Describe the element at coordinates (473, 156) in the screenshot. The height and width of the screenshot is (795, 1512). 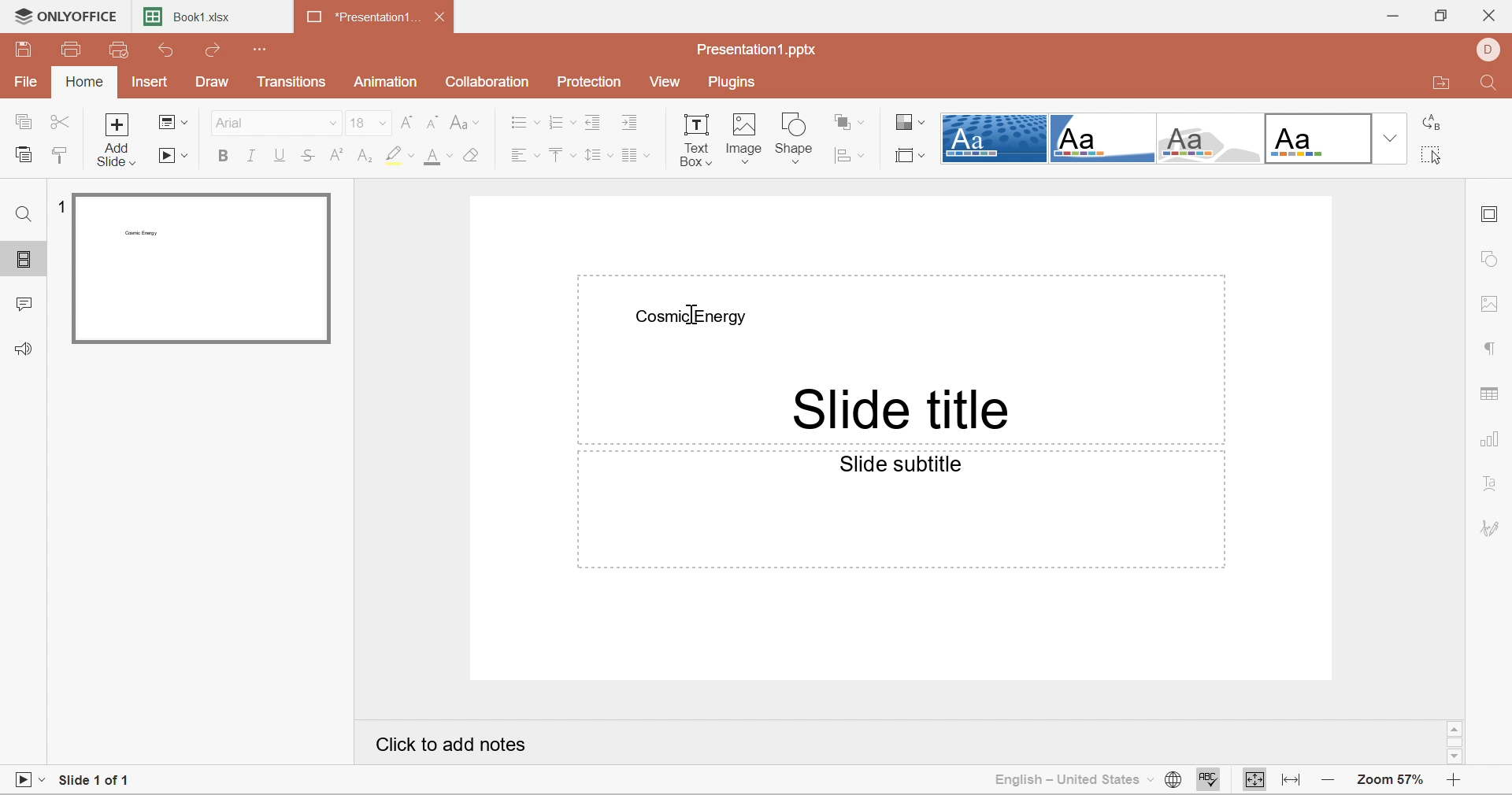
I see `Clear` at that location.